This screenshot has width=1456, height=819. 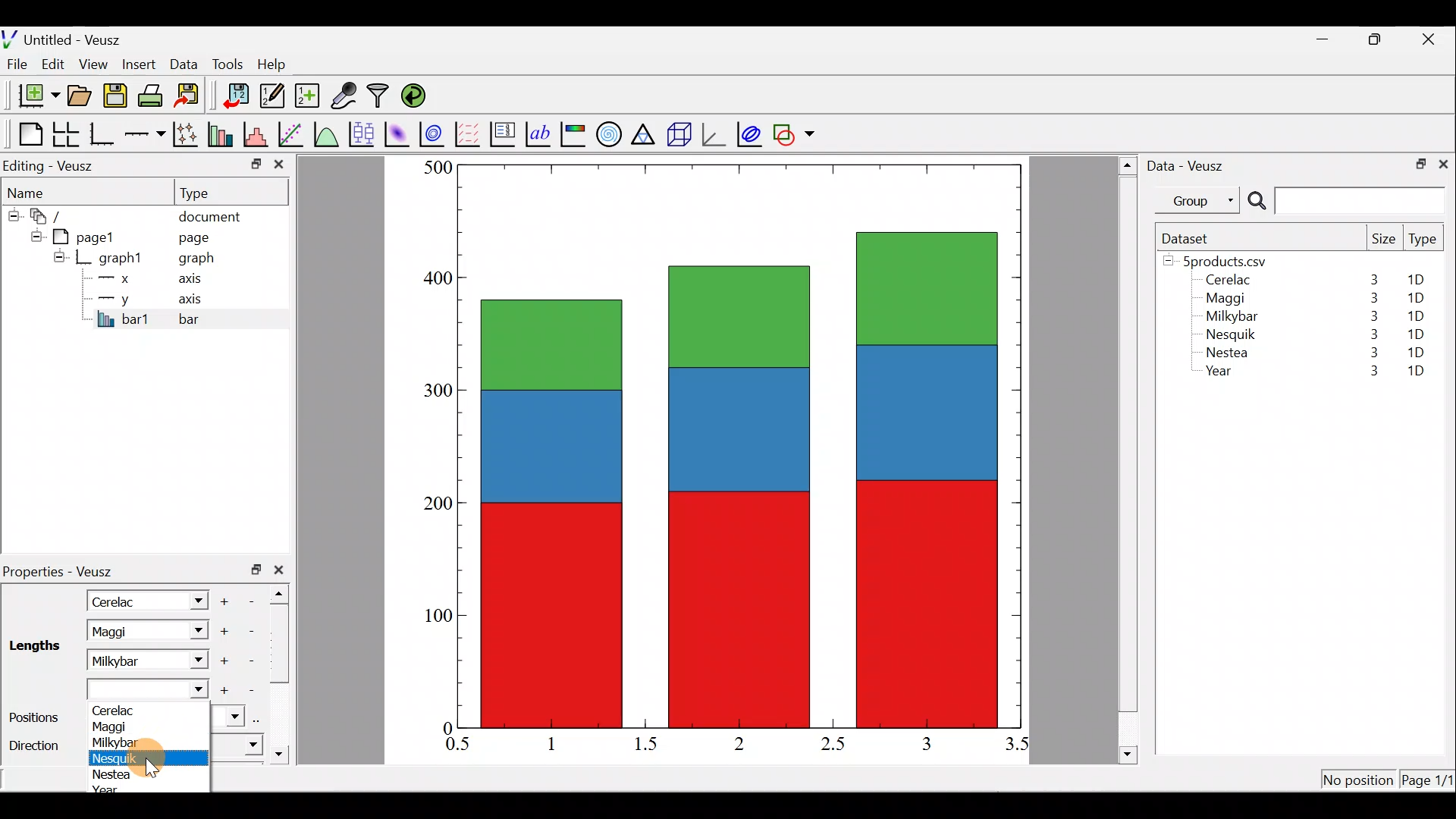 I want to click on Add another item, so click(x=227, y=599).